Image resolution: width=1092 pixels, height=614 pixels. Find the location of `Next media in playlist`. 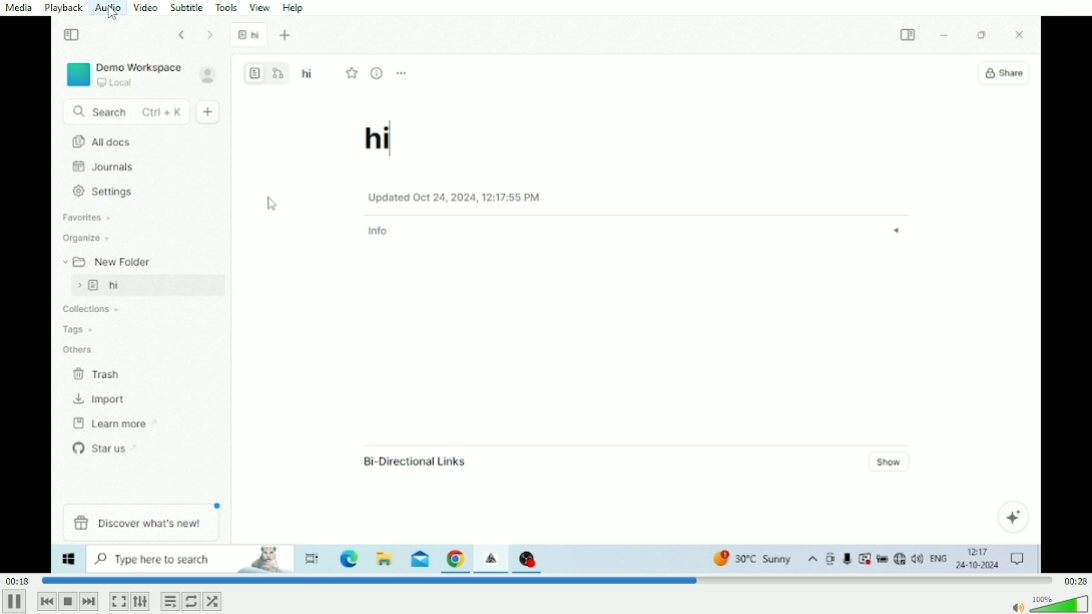

Next media in playlist is located at coordinates (89, 602).